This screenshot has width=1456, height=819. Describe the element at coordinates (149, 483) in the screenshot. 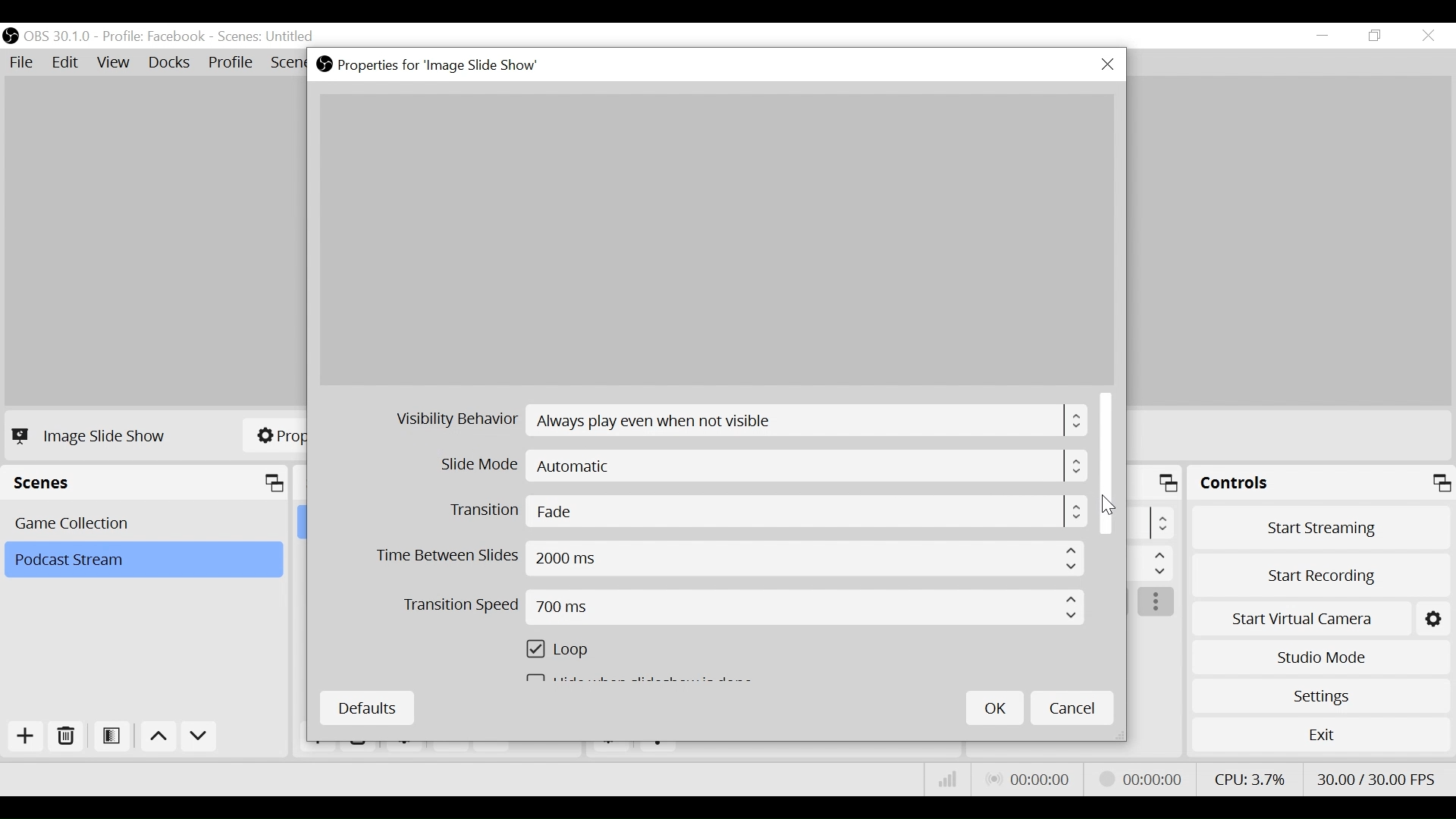

I see `Scenes` at that location.